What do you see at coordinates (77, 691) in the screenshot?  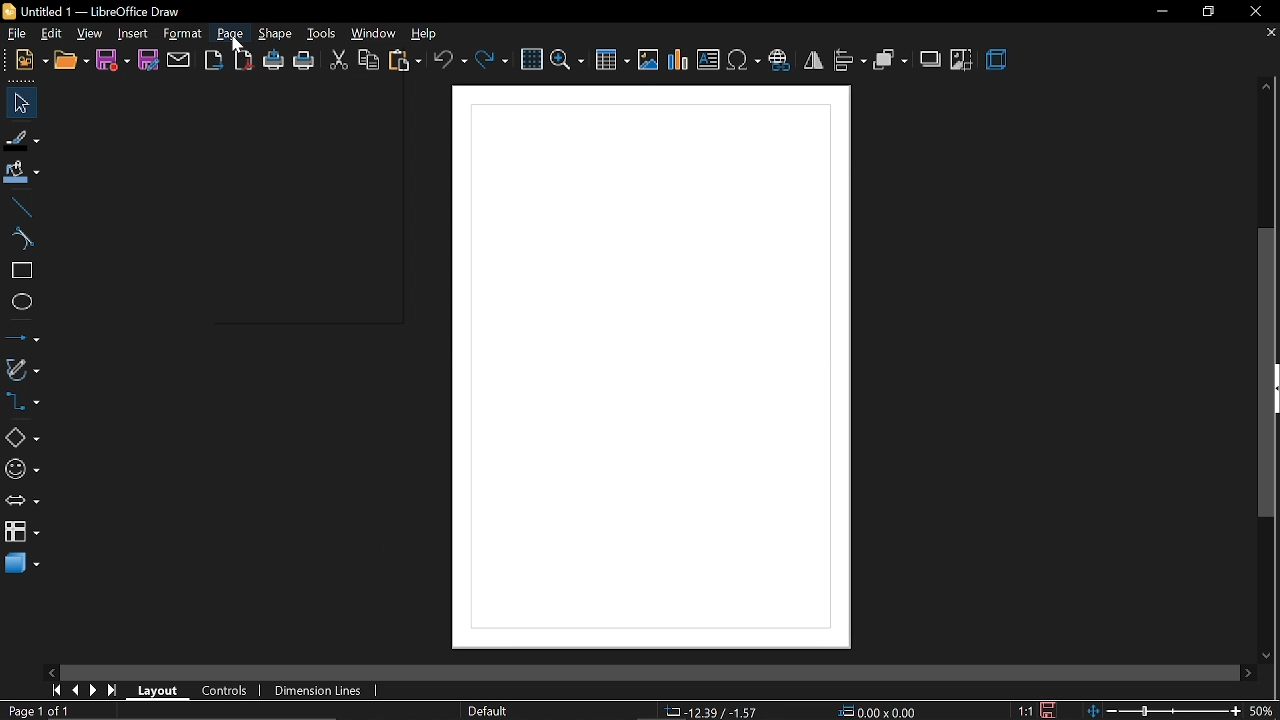 I see `previous page` at bounding box center [77, 691].